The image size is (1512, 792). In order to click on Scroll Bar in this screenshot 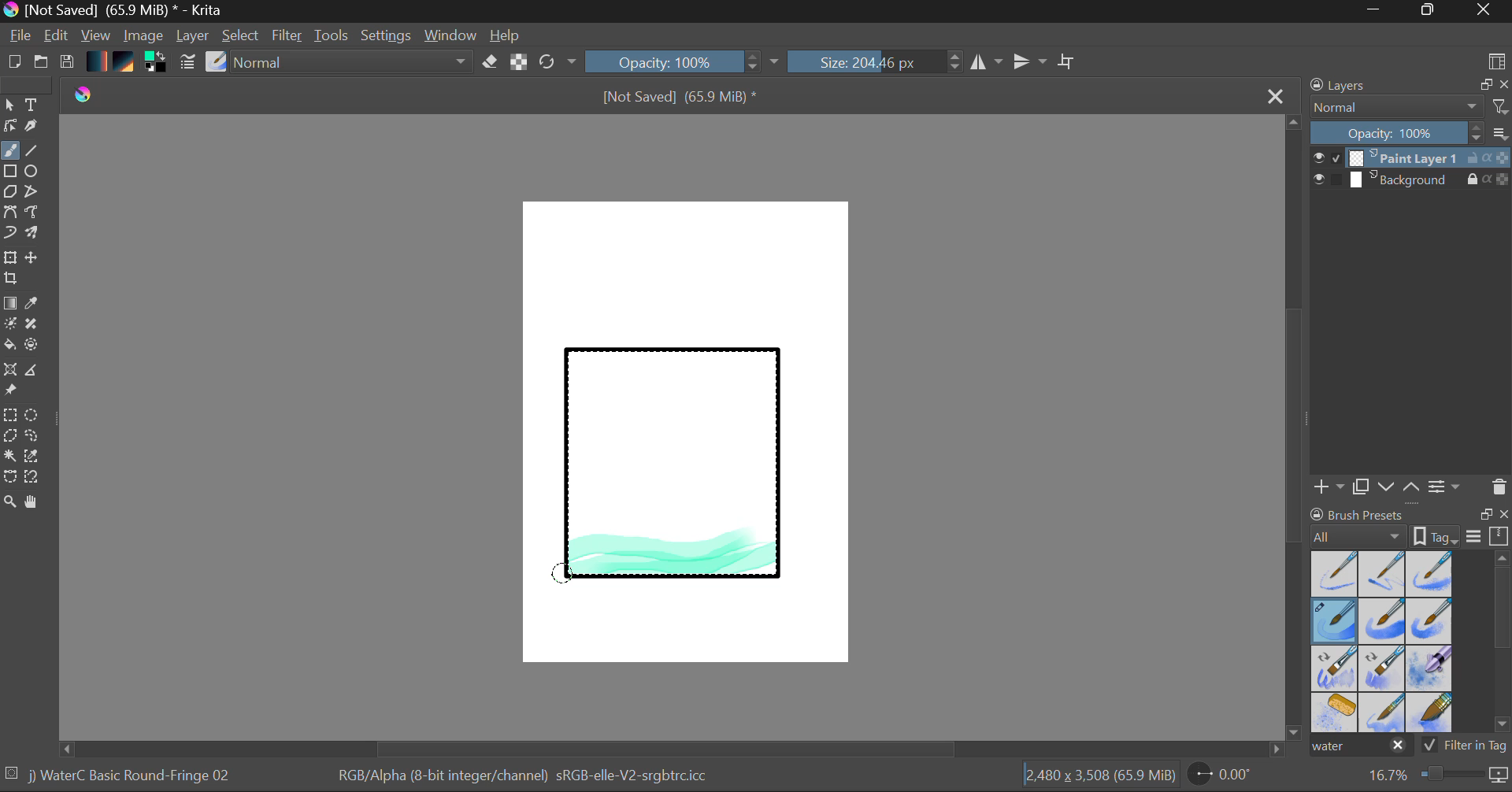, I will do `click(673, 749)`.